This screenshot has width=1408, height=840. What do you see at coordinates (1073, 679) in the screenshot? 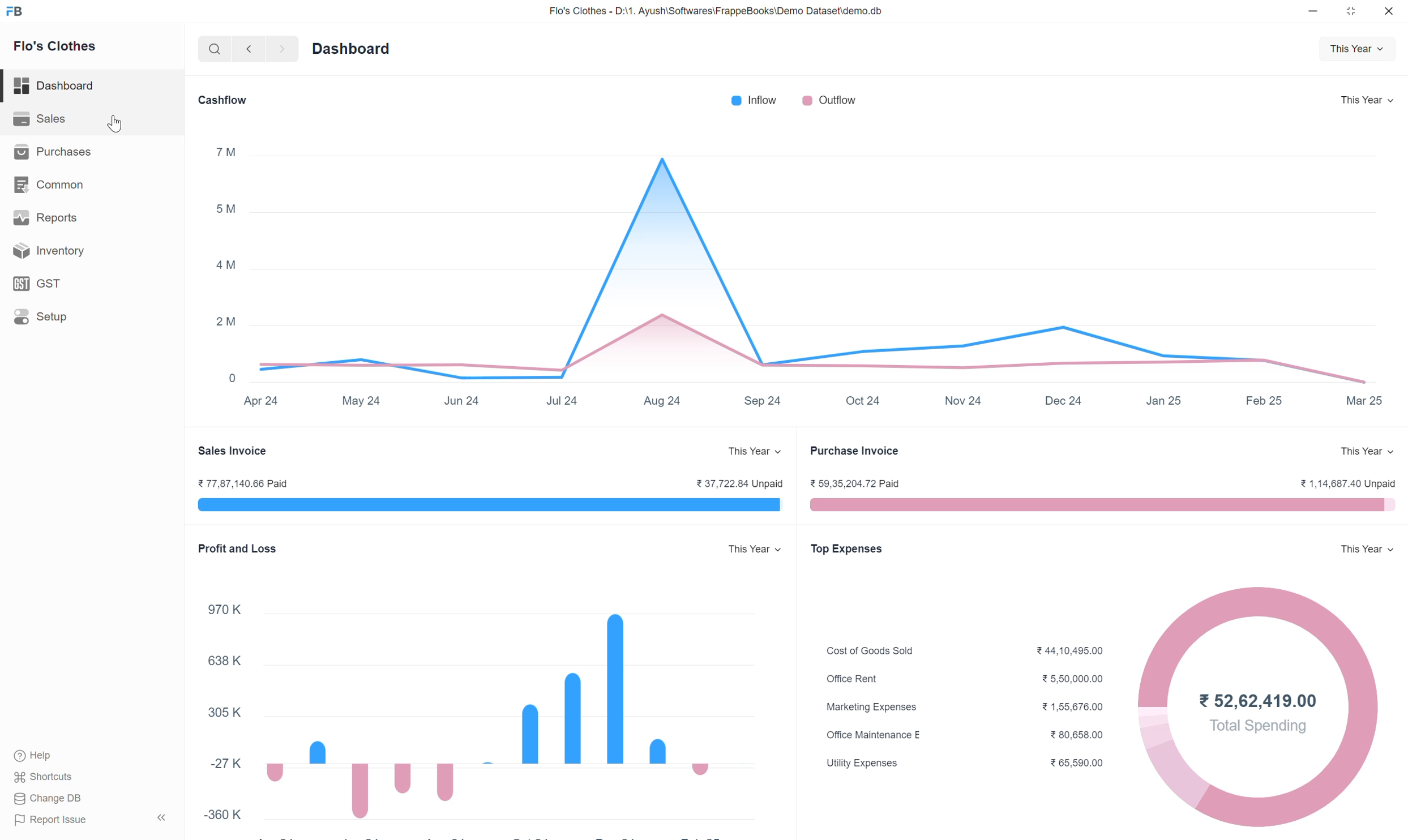
I see ` 5,50,000.00` at bounding box center [1073, 679].